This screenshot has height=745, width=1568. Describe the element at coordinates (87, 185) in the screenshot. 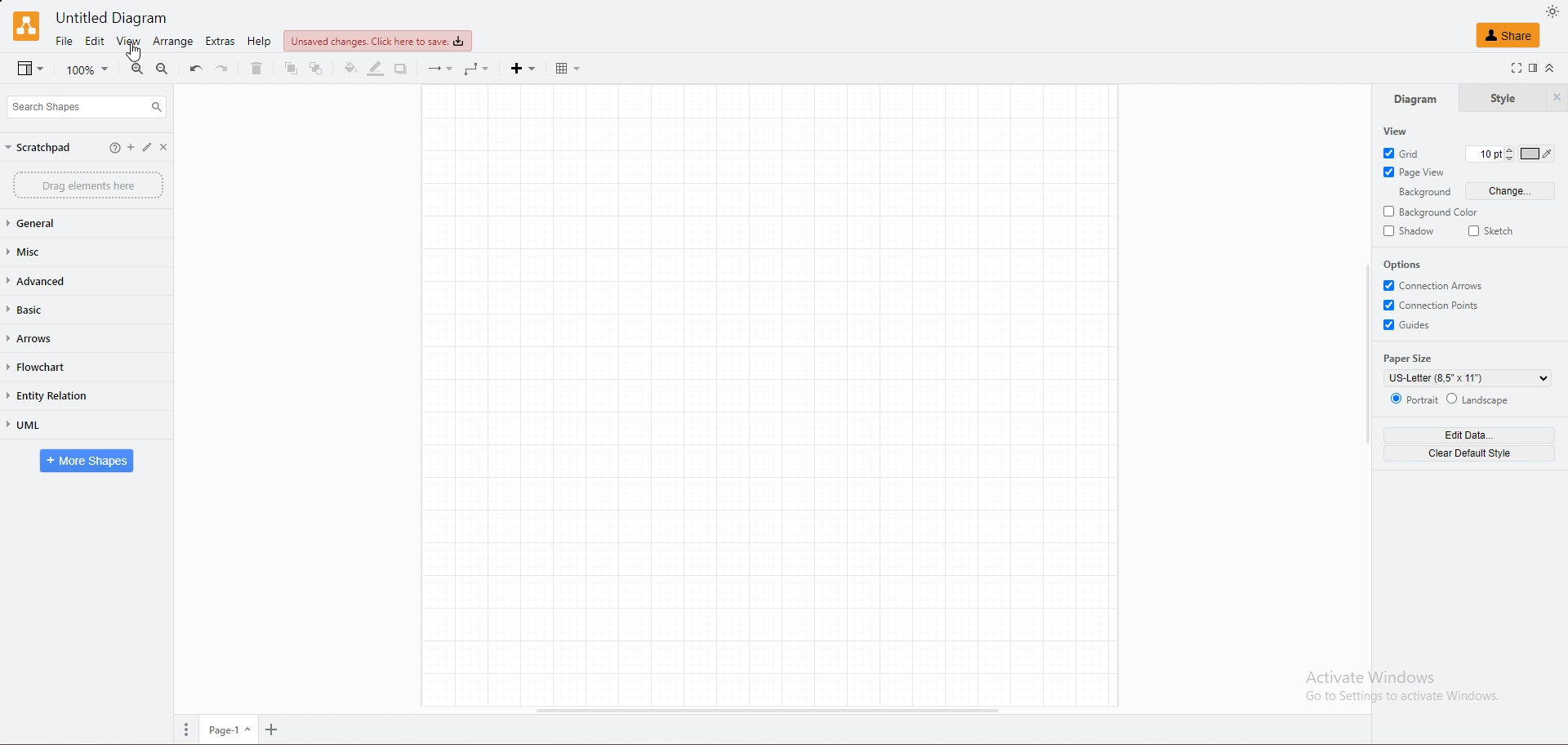

I see `drag elements here` at that location.